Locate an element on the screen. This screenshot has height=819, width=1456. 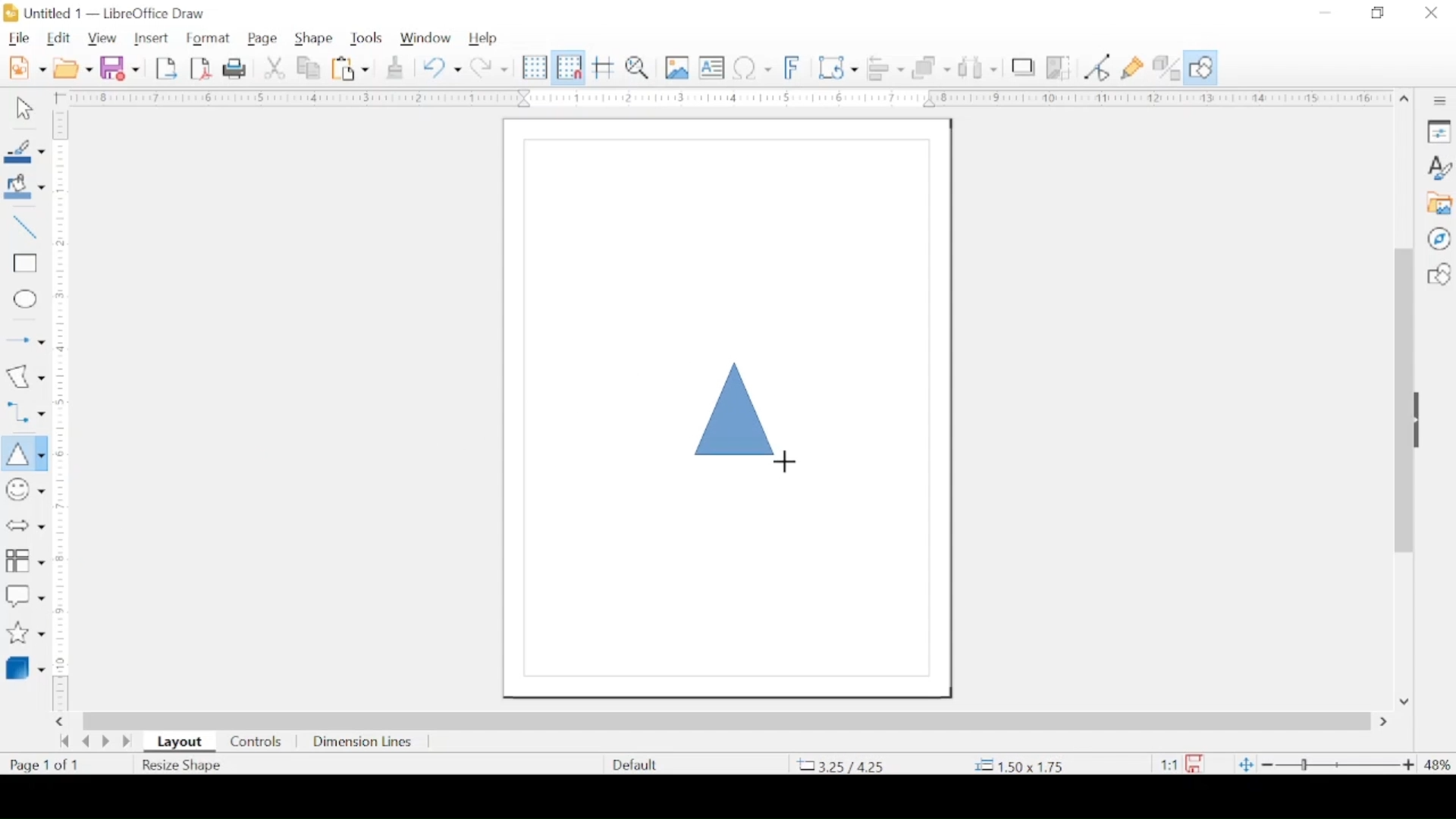
shadow is located at coordinates (1025, 67).